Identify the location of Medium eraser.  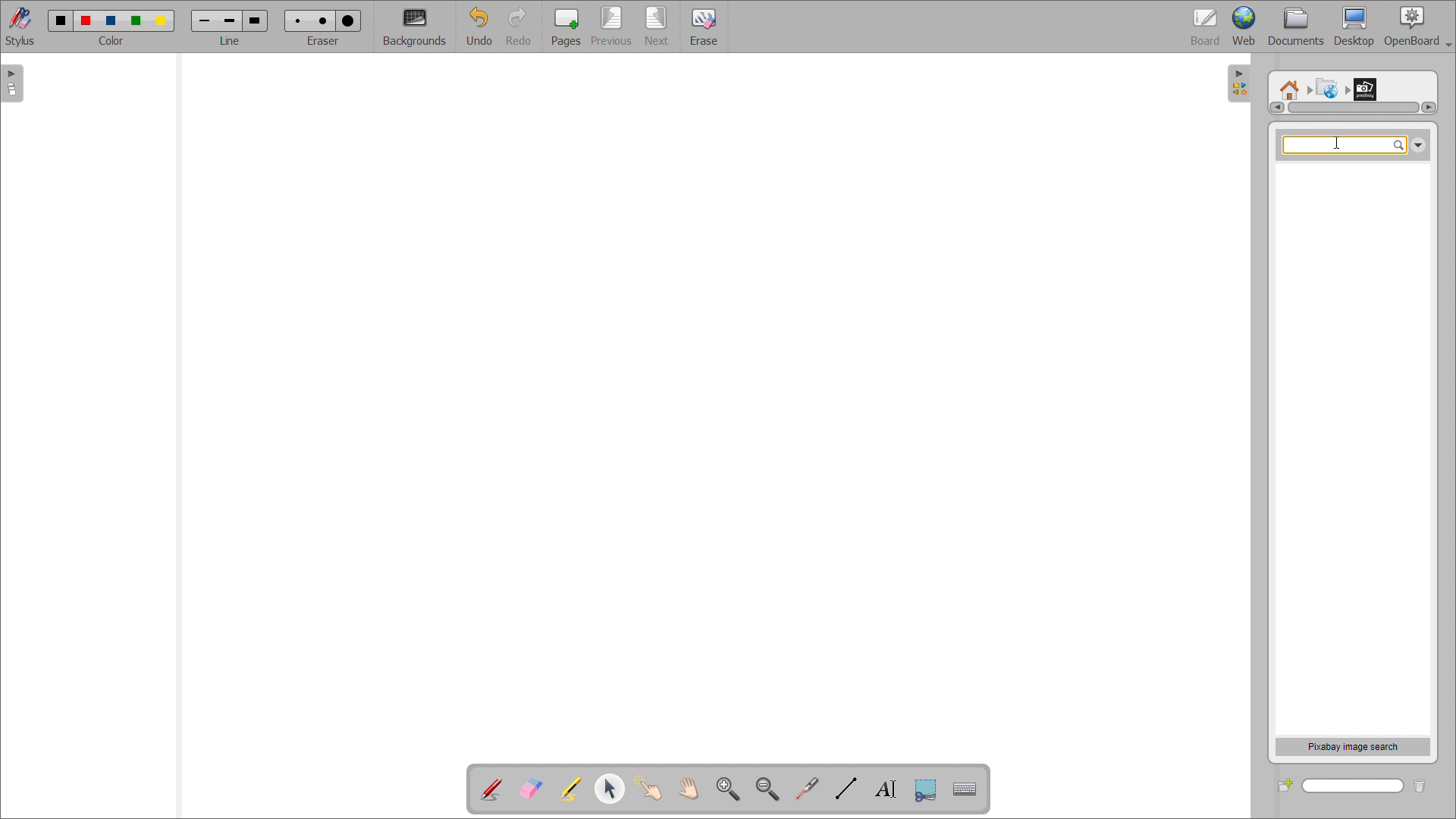
(322, 19).